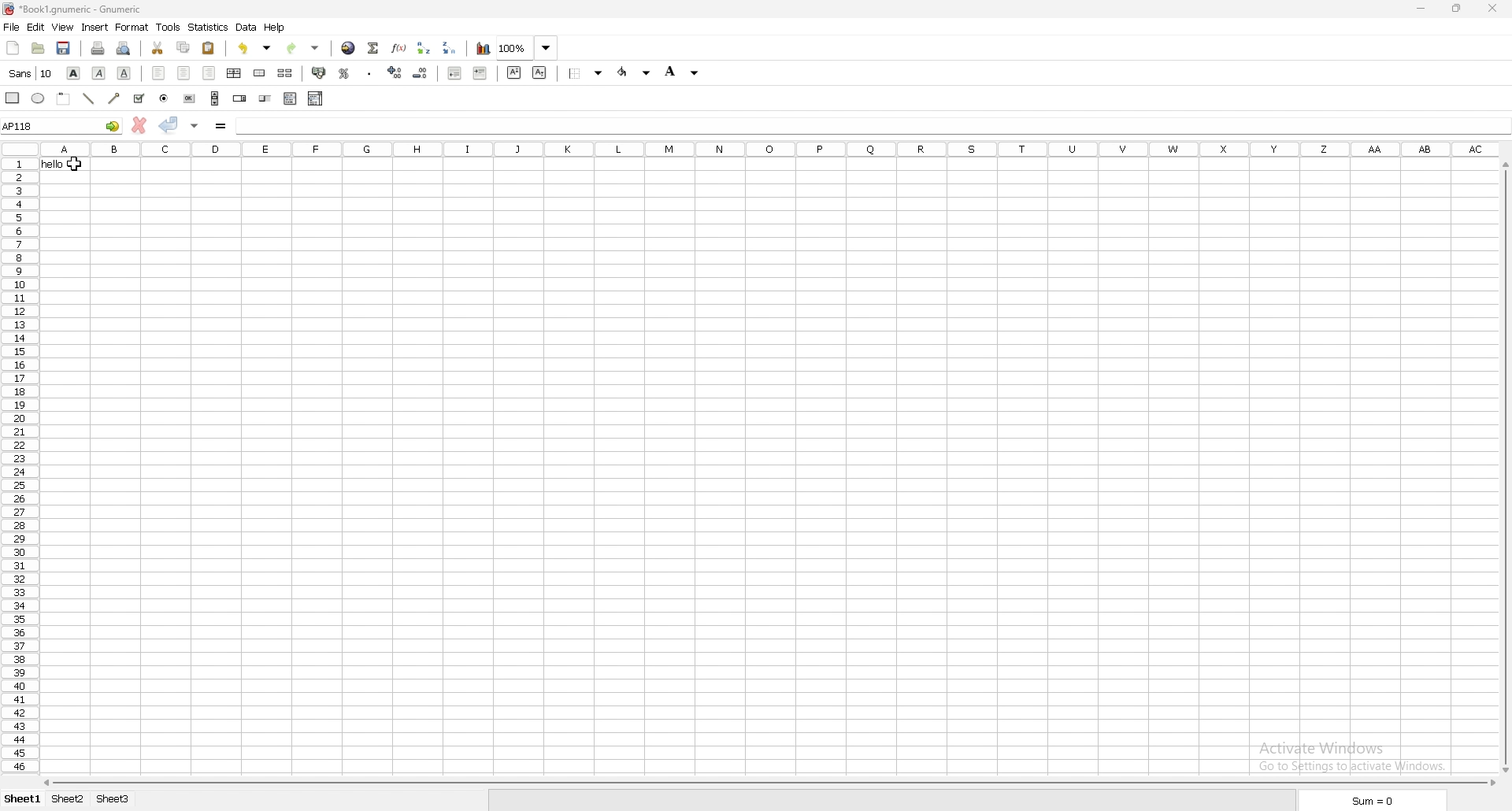 This screenshot has width=1512, height=811. I want to click on centre, so click(184, 73).